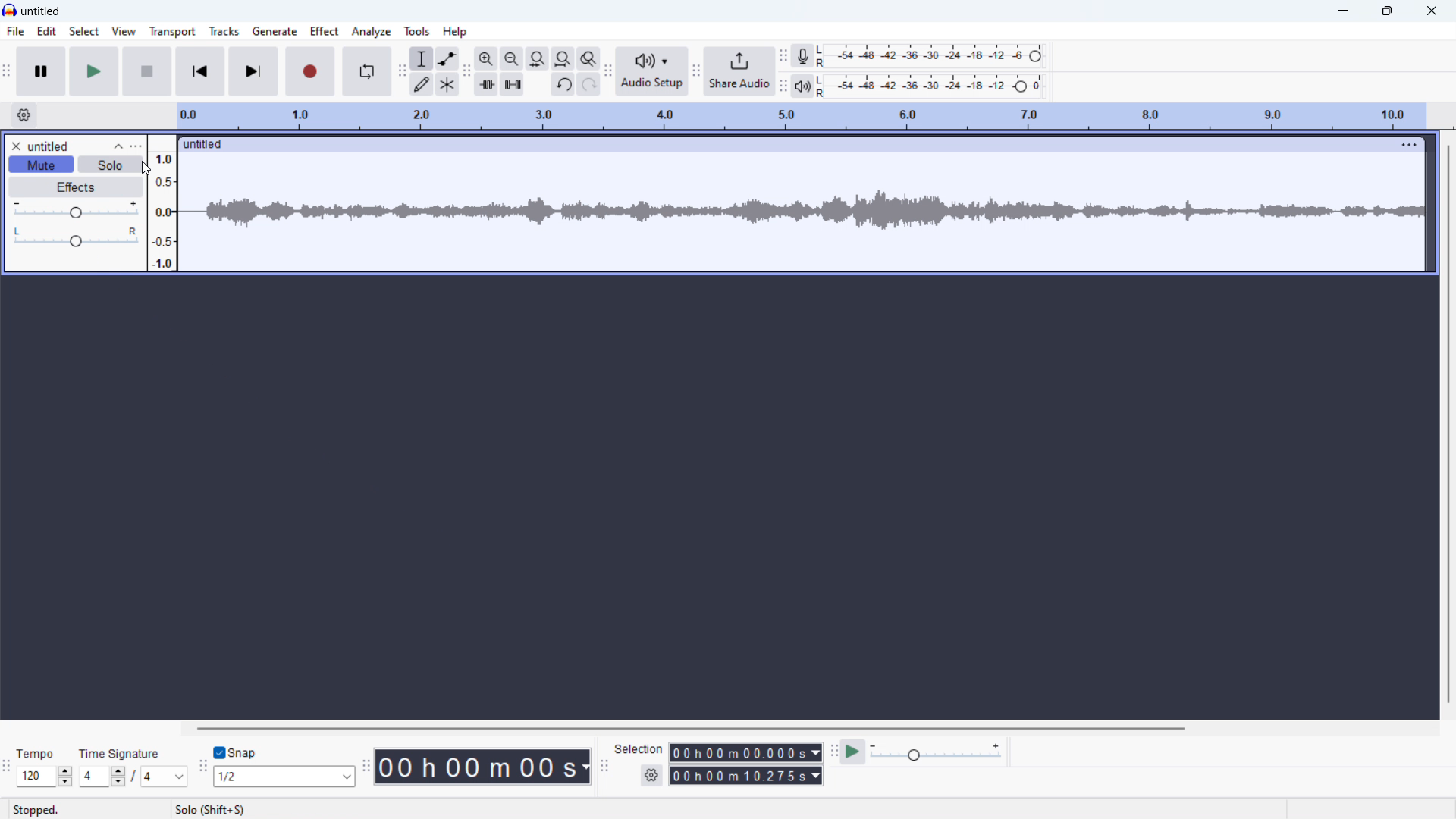 This screenshot has height=819, width=1456. I want to click on record, so click(309, 71).